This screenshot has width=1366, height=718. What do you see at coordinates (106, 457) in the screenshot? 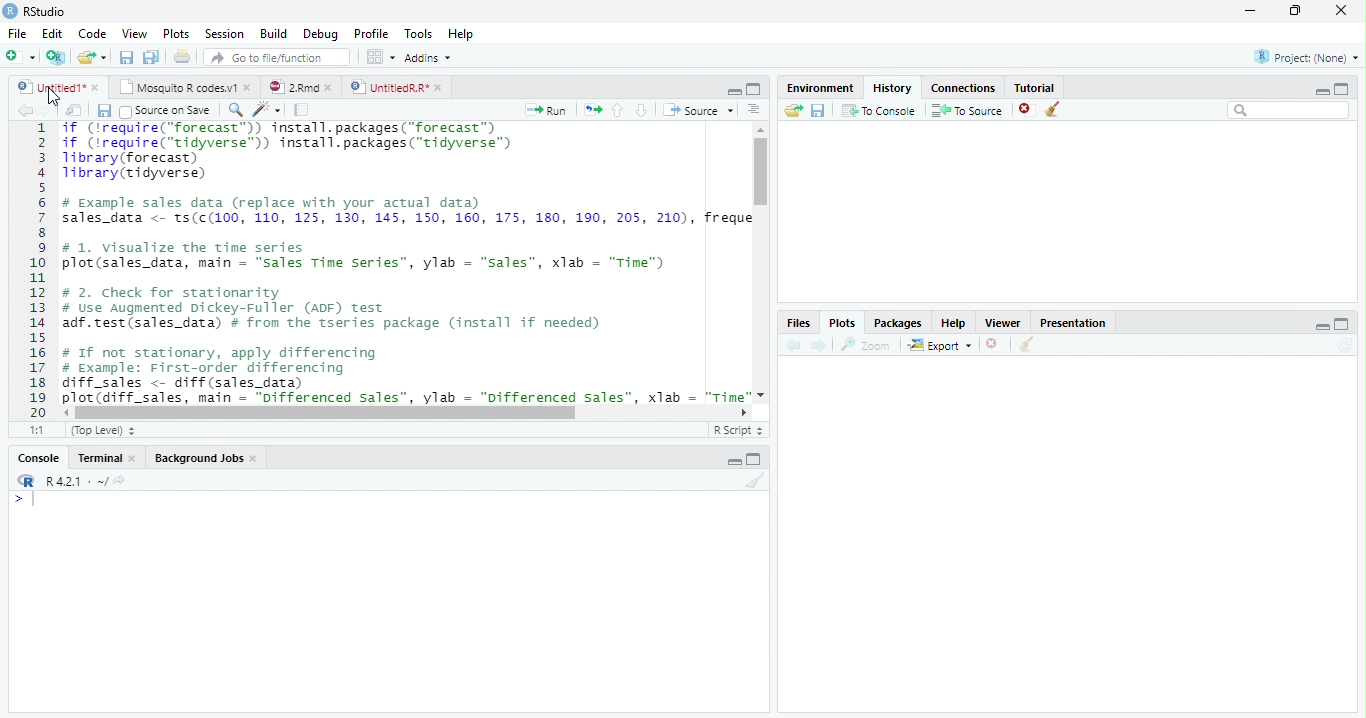
I see `Terminal` at bounding box center [106, 457].